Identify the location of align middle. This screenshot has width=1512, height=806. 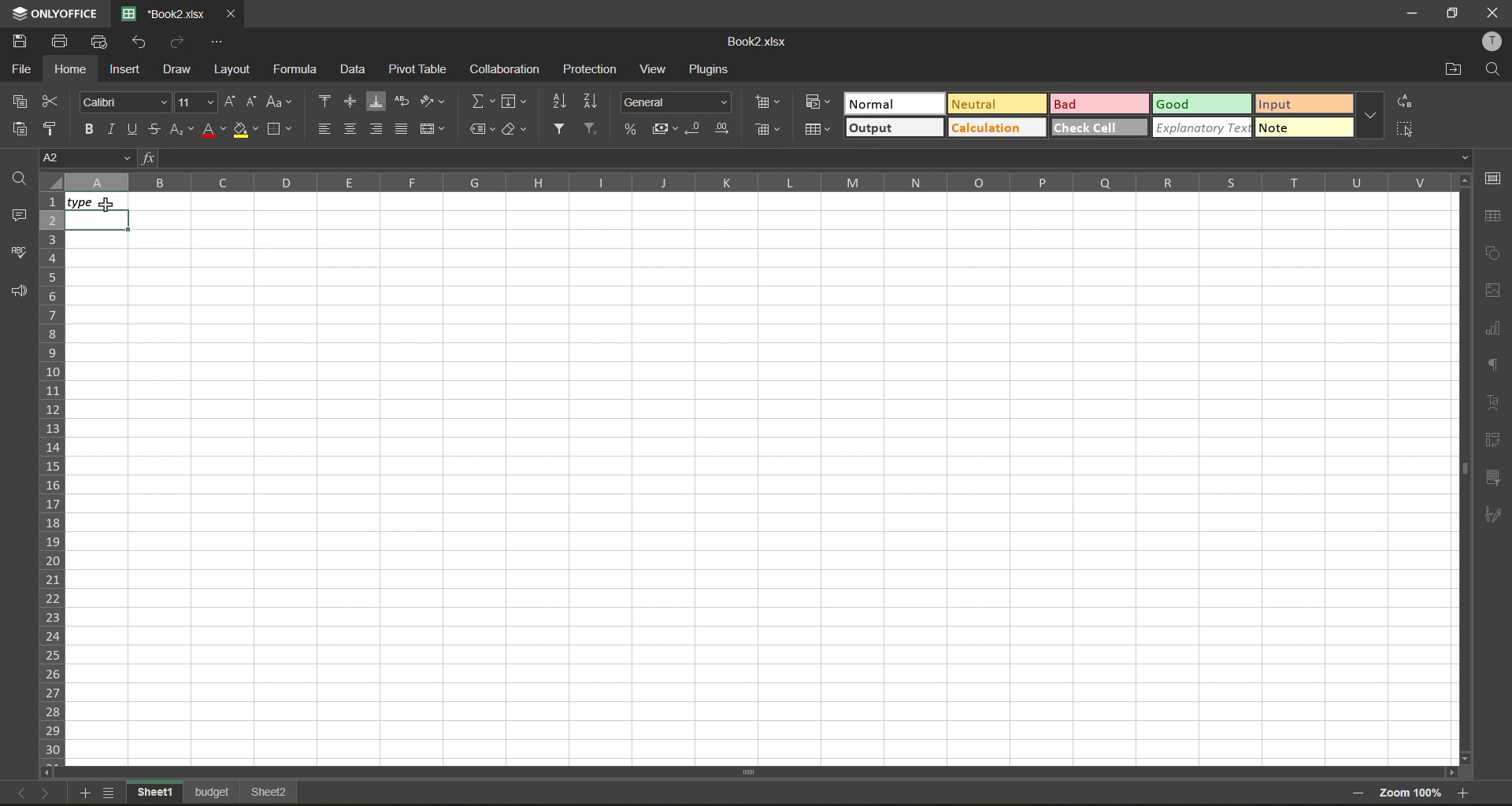
(350, 128).